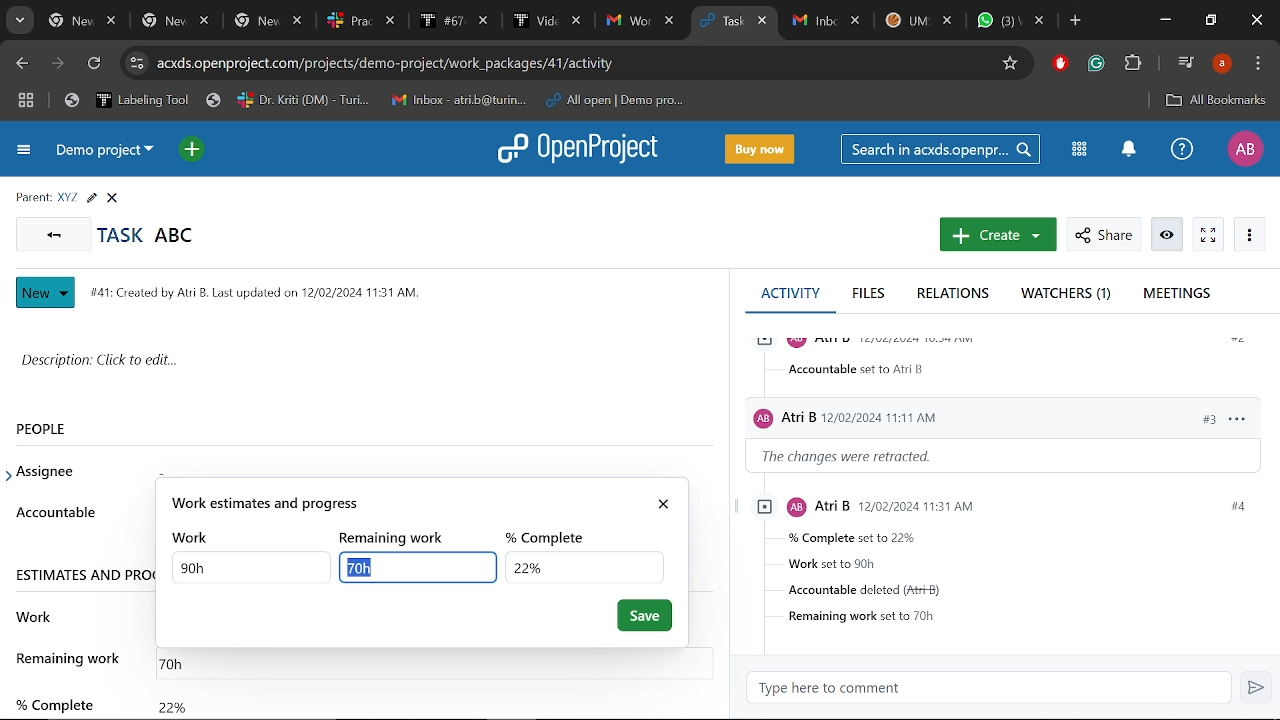  What do you see at coordinates (26, 102) in the screenshot?
I see `Tab groups` at bounding box center [26, 102].